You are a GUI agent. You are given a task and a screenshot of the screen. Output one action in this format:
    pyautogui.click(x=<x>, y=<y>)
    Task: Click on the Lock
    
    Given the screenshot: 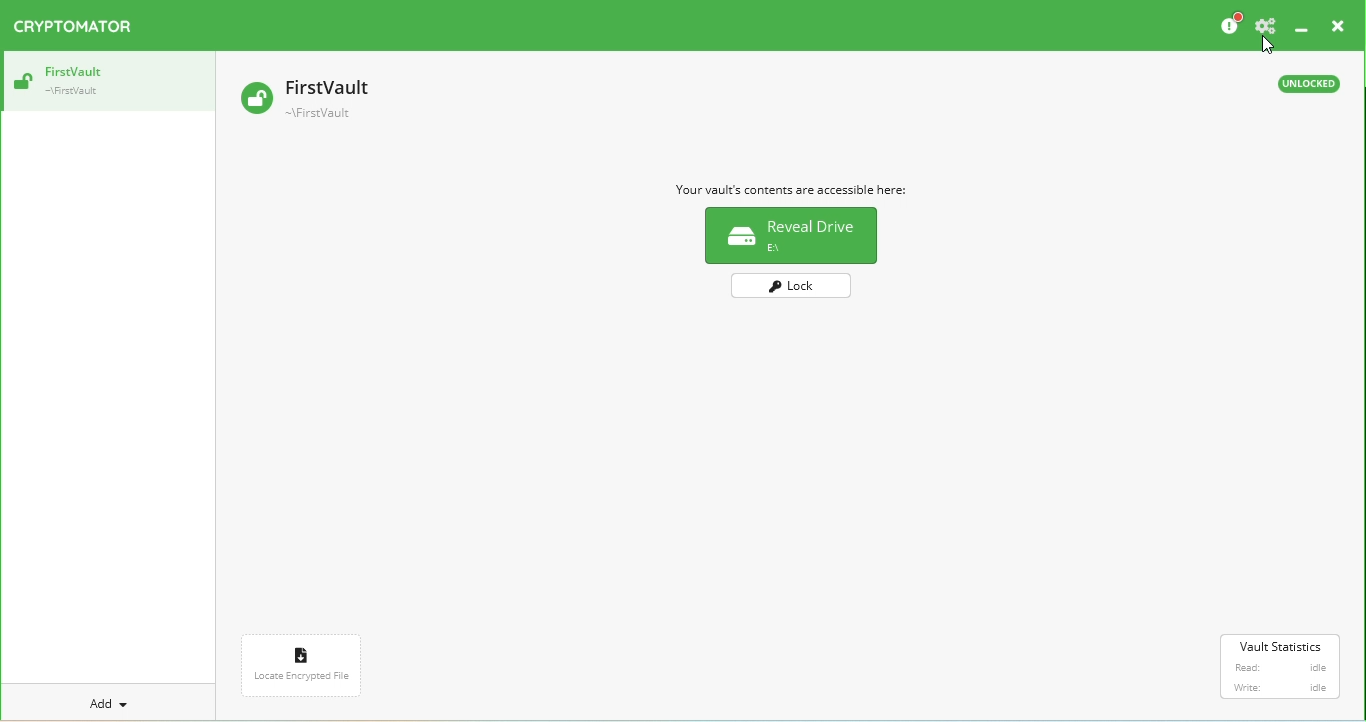 What is the action you would take?
    pyautogui.click(x=794, y=287)
    